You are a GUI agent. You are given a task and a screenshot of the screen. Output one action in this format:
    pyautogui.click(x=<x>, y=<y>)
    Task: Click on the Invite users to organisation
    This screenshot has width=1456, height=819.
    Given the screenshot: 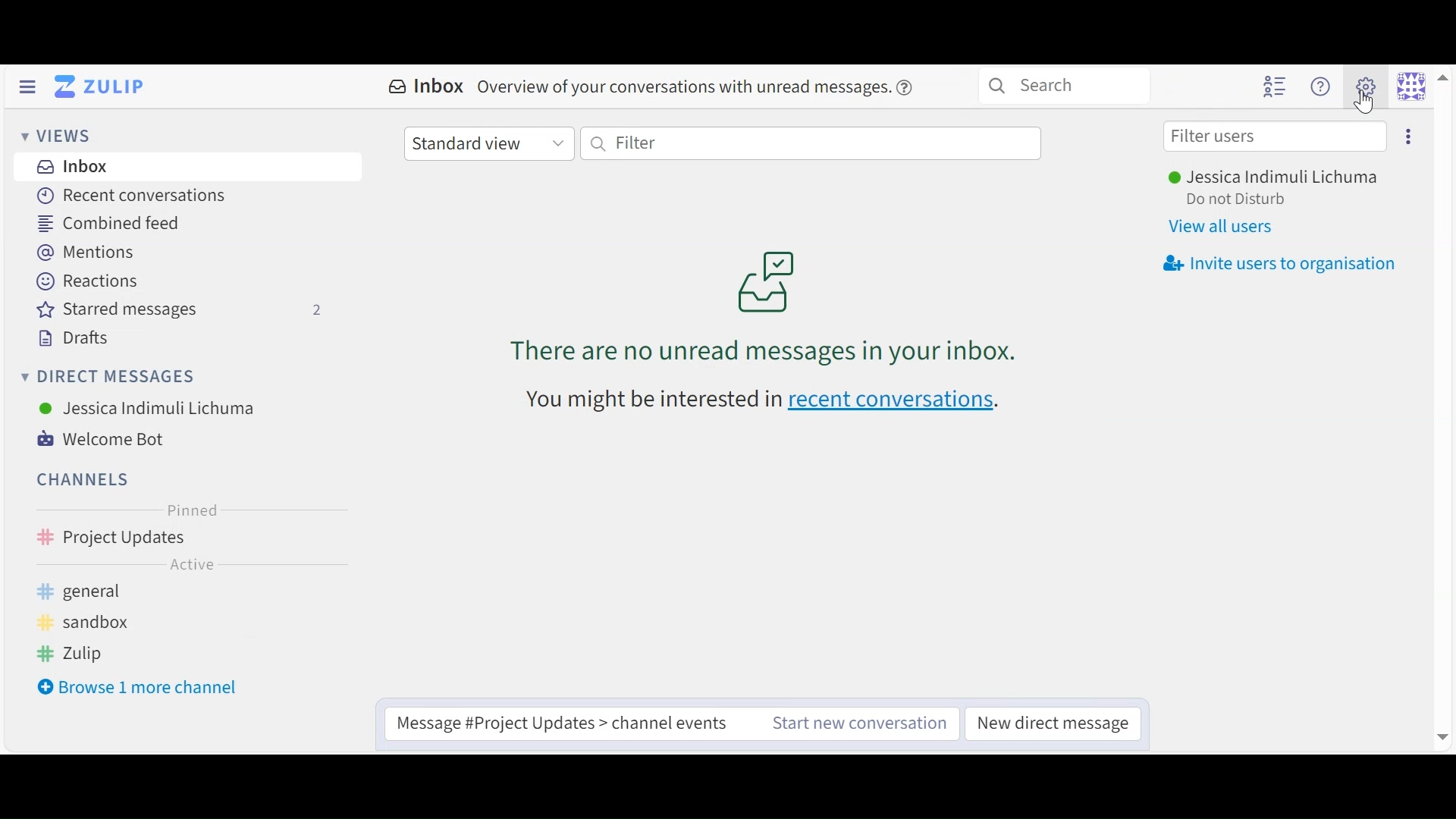 What is the action you would take?
    pyautogui.click(x=1405, y=135)
    